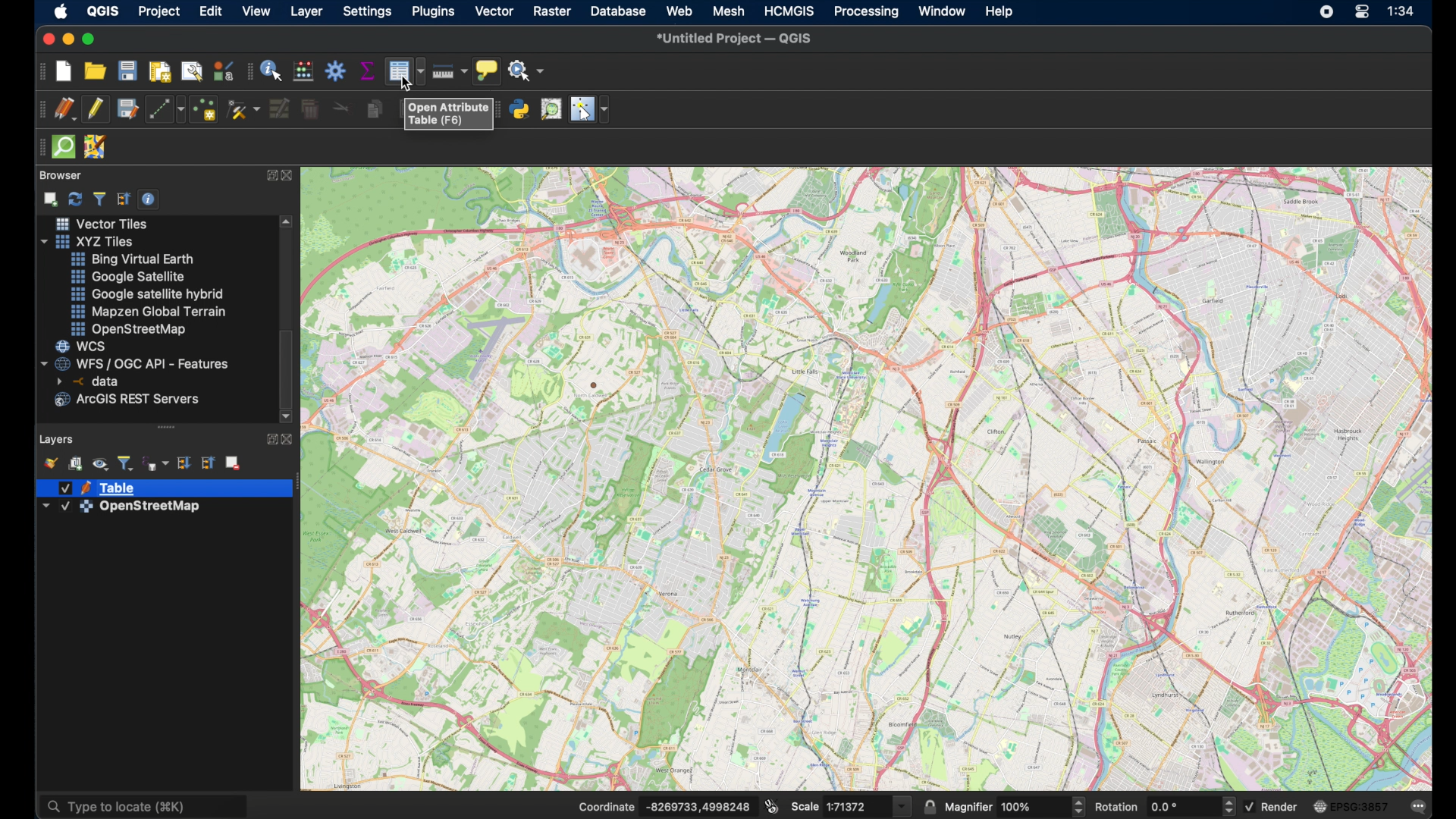  What do you see at coordinates (137, 363) in the screenshot?
I see `wfs/ogc api - features` at bounding box center [137, 363].